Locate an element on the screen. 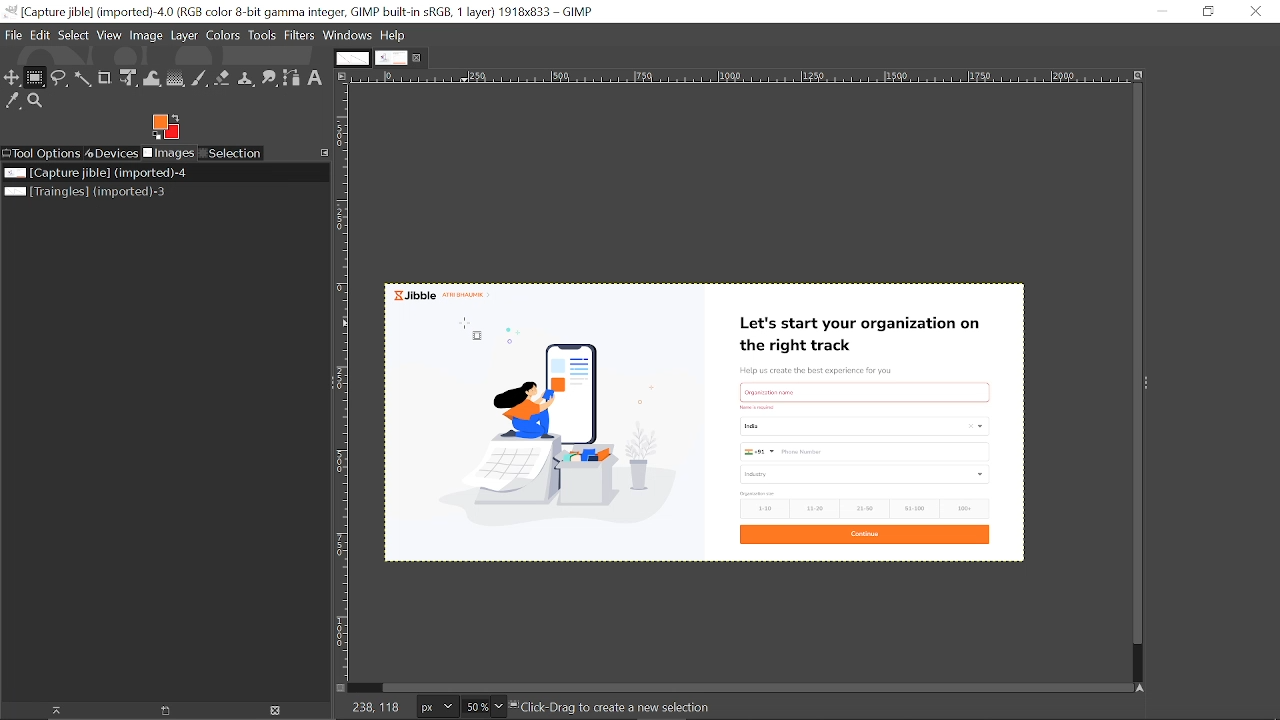 This screenshot has height=720, width=1280. first tab is located at coordinates (351, 58).